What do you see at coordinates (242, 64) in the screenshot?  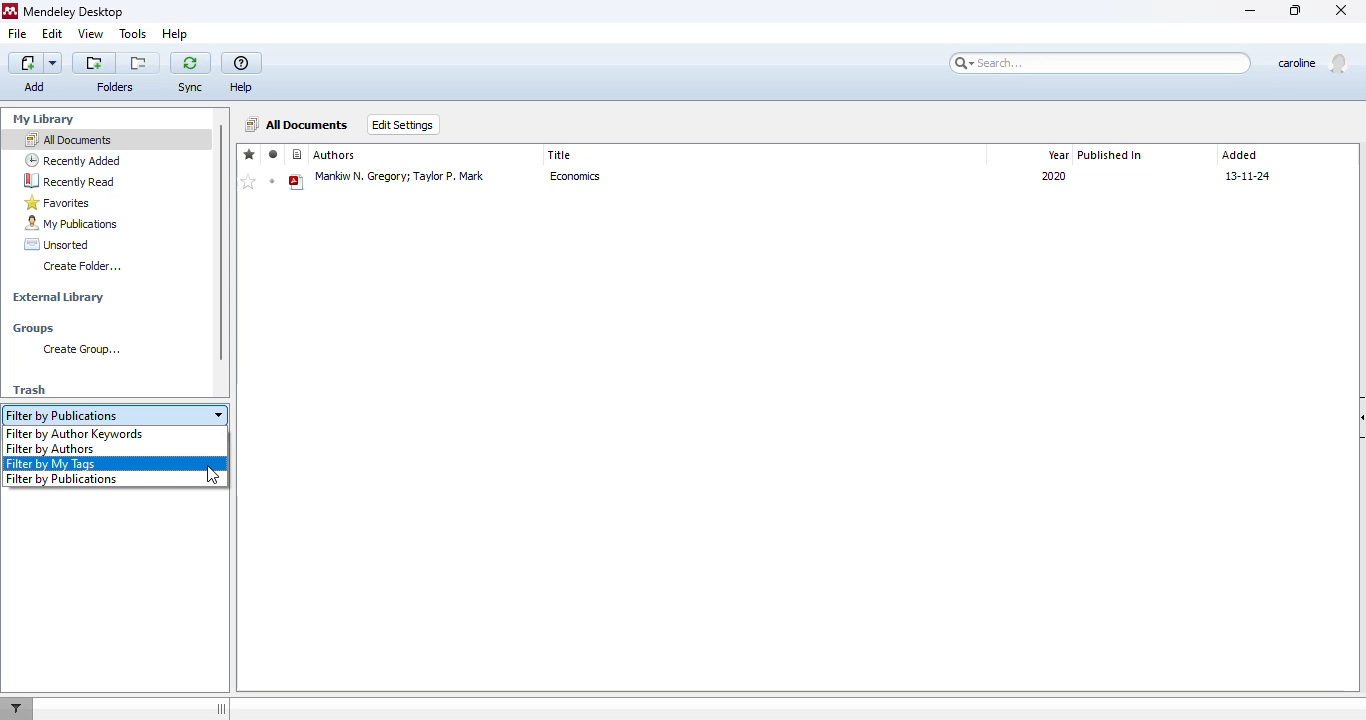 I see `help` at bounding box center [242, 64].